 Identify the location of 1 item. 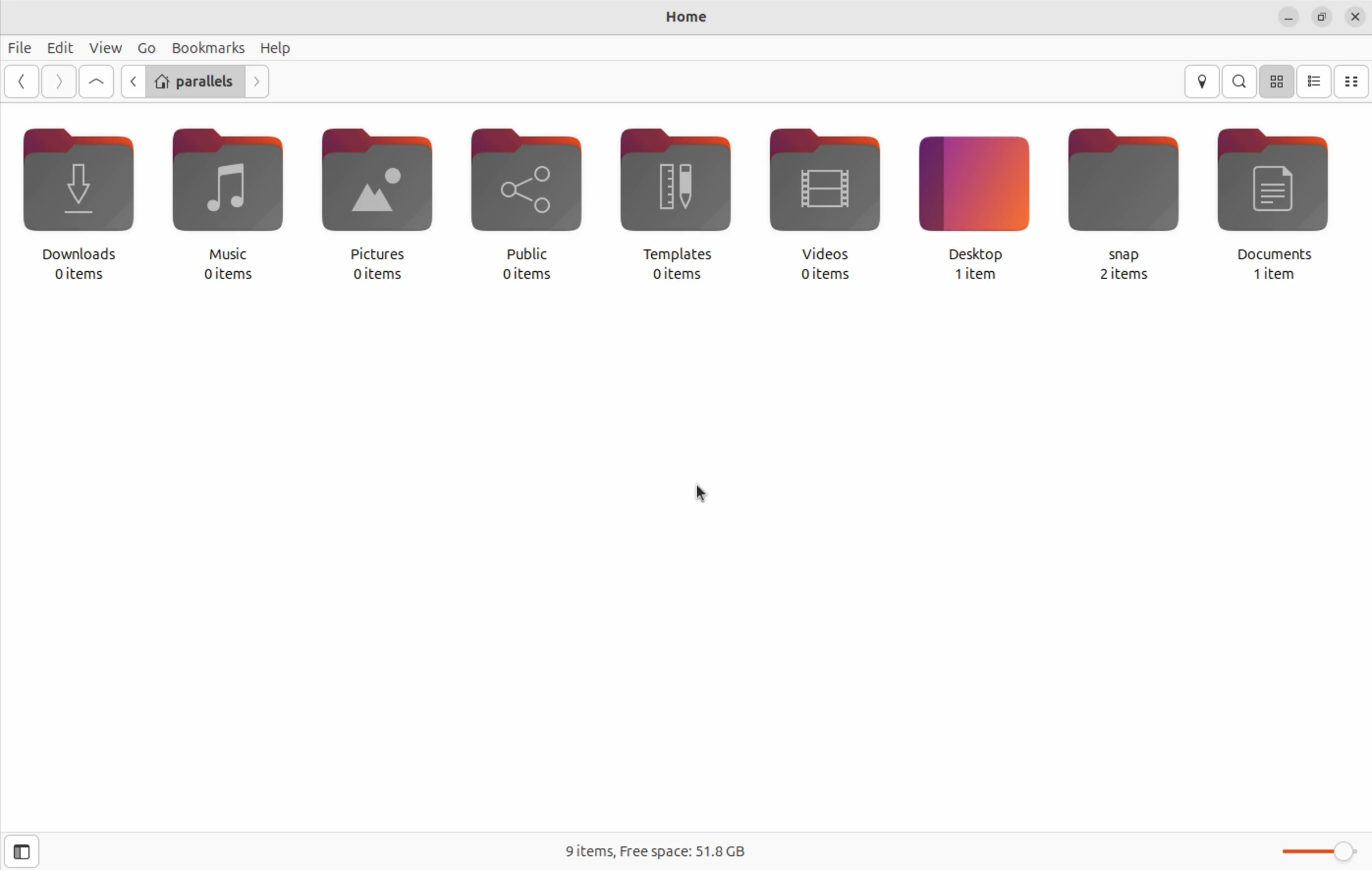
(977, 275).